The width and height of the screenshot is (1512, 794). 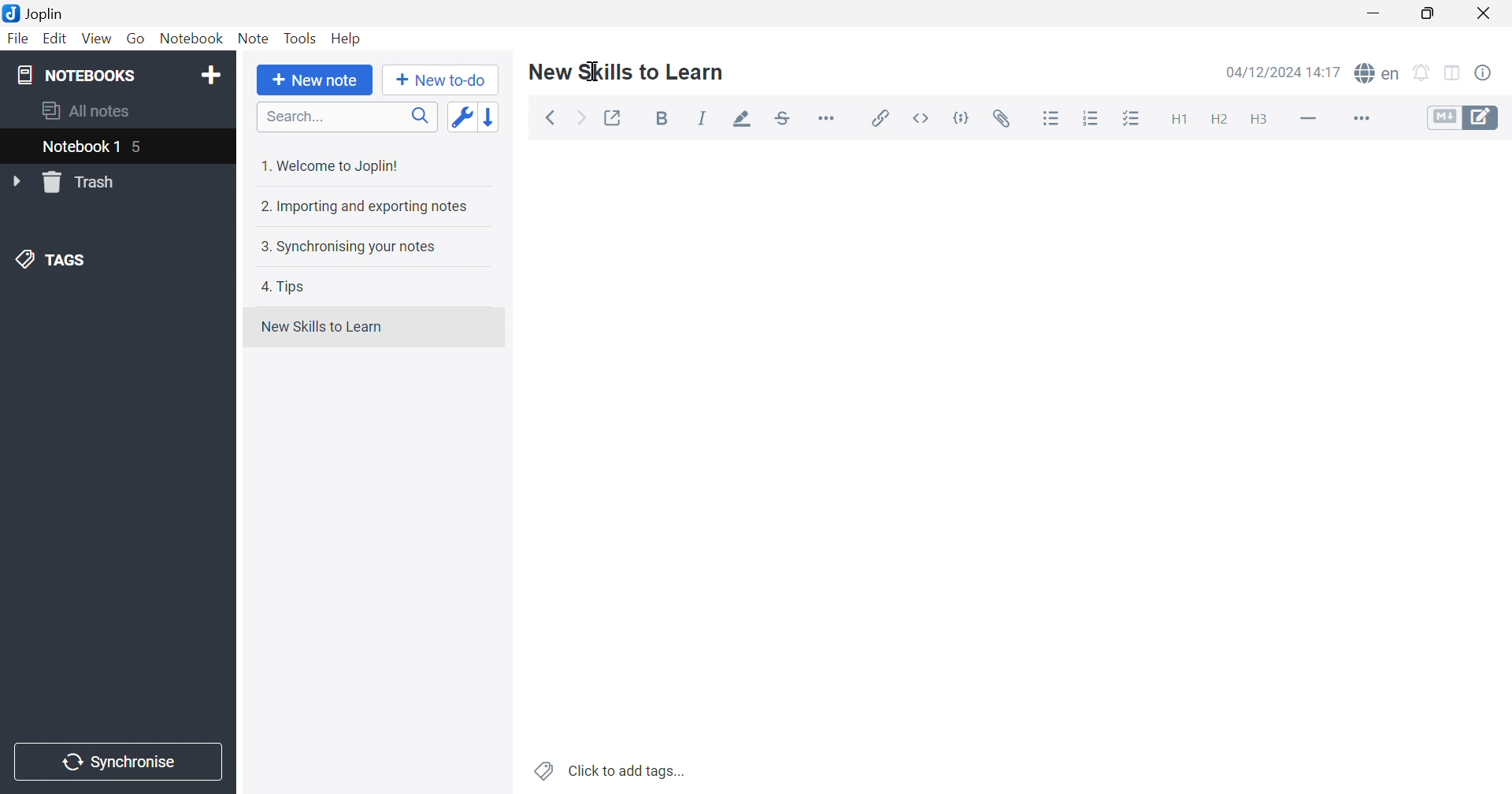 What do you see at coordinates (550, 119) in the screenshot?
I see `Back` at bounding box center [550, 119].